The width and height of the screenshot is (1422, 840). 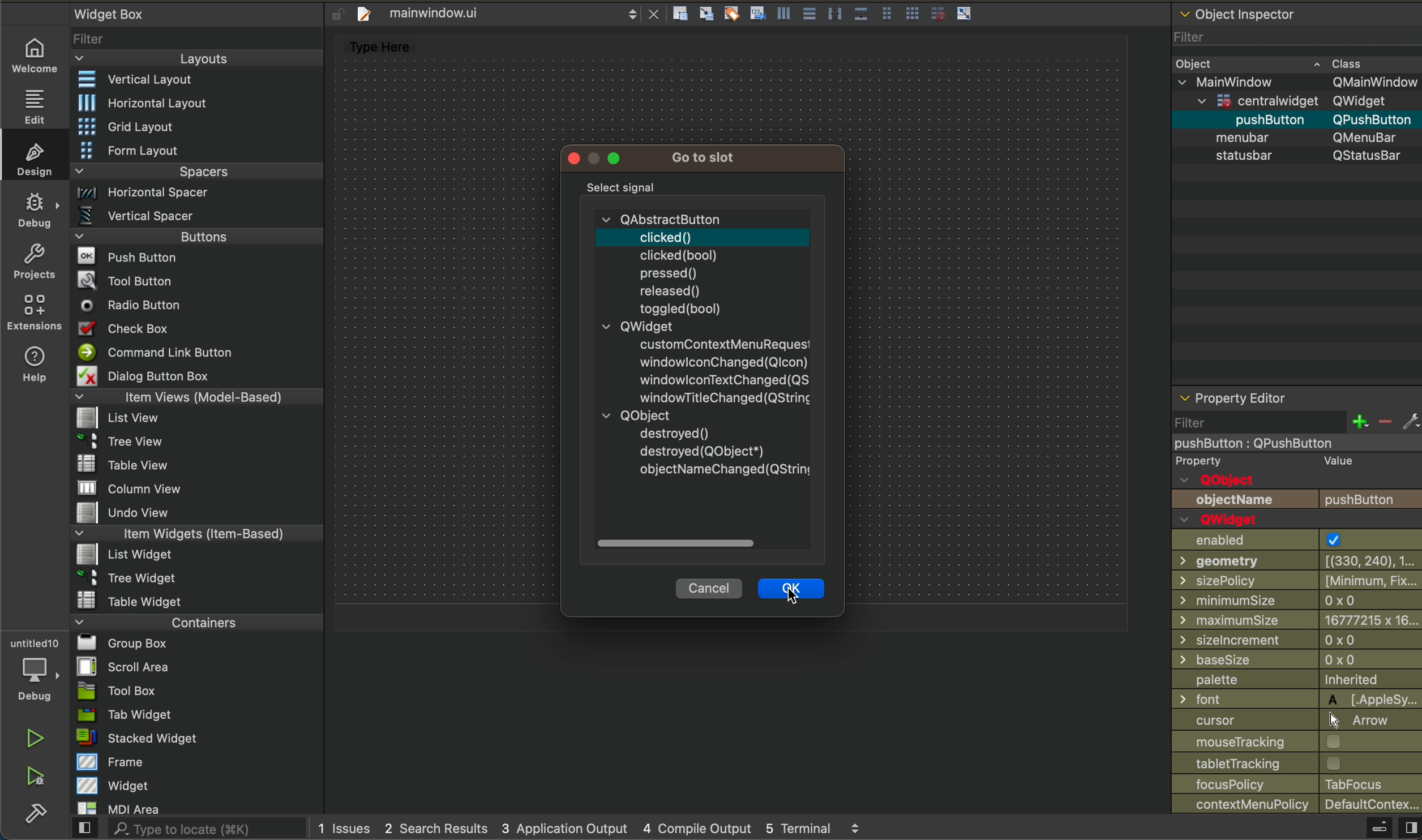 What do you see at coordinates (1268, 461) in the screenshot?
I see `Property Value` at bounding box center [1268, 461].